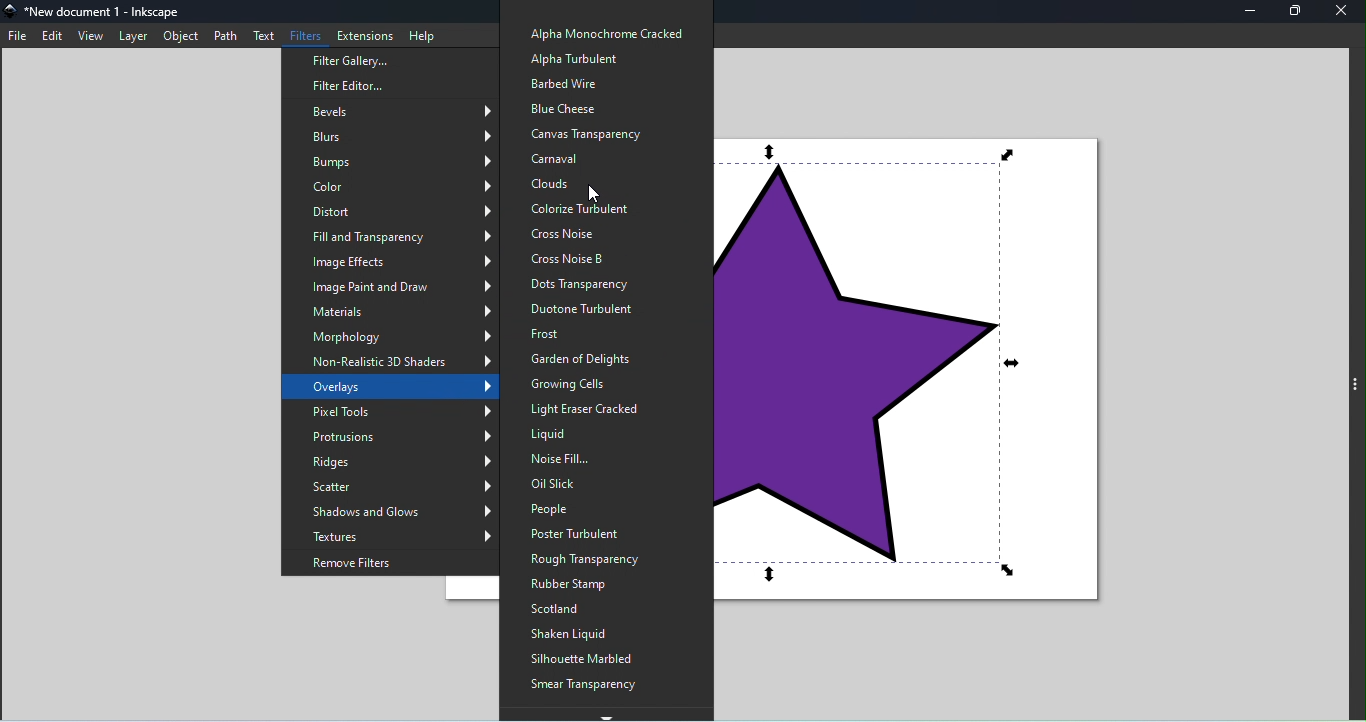  What do you see at coordinates (307, 33) in the screenshot?
I see `Filters` at bounding box center [307, 33].